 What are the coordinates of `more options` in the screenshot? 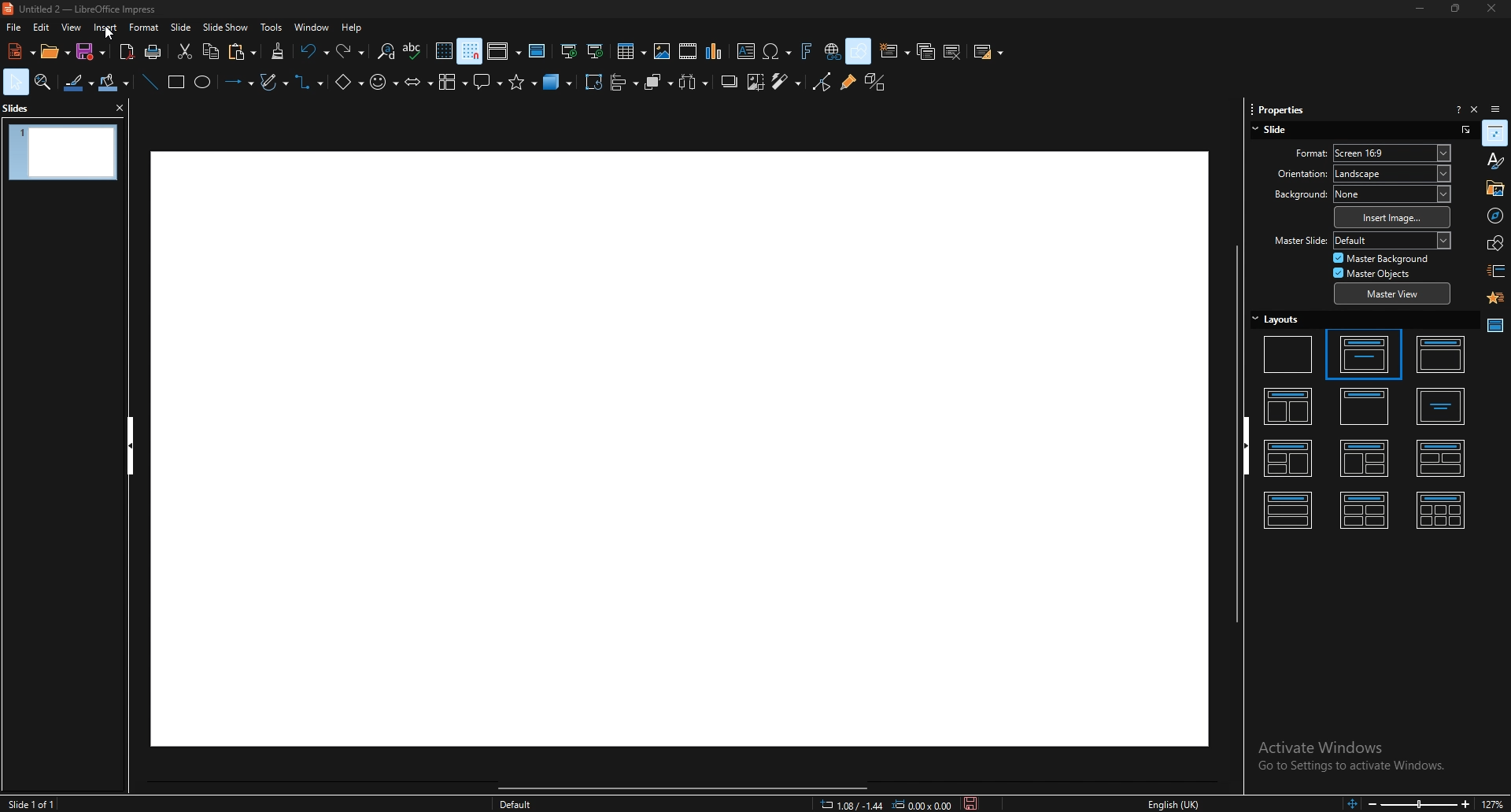 It's located at (1465, 129).